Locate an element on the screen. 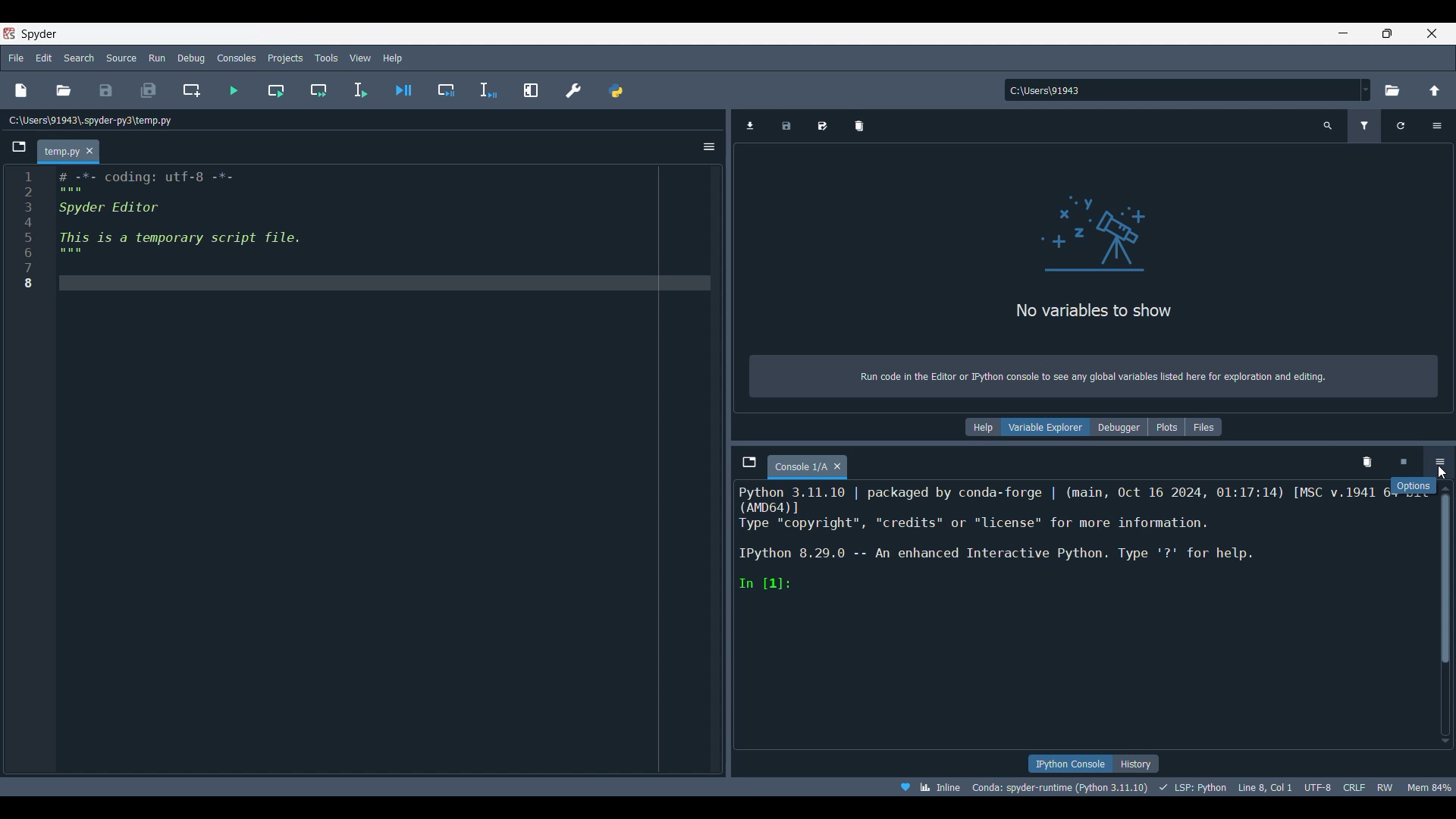 The height and width of the screenshot is (819, 1456). Close tab  is located at coordinates (89, 151).